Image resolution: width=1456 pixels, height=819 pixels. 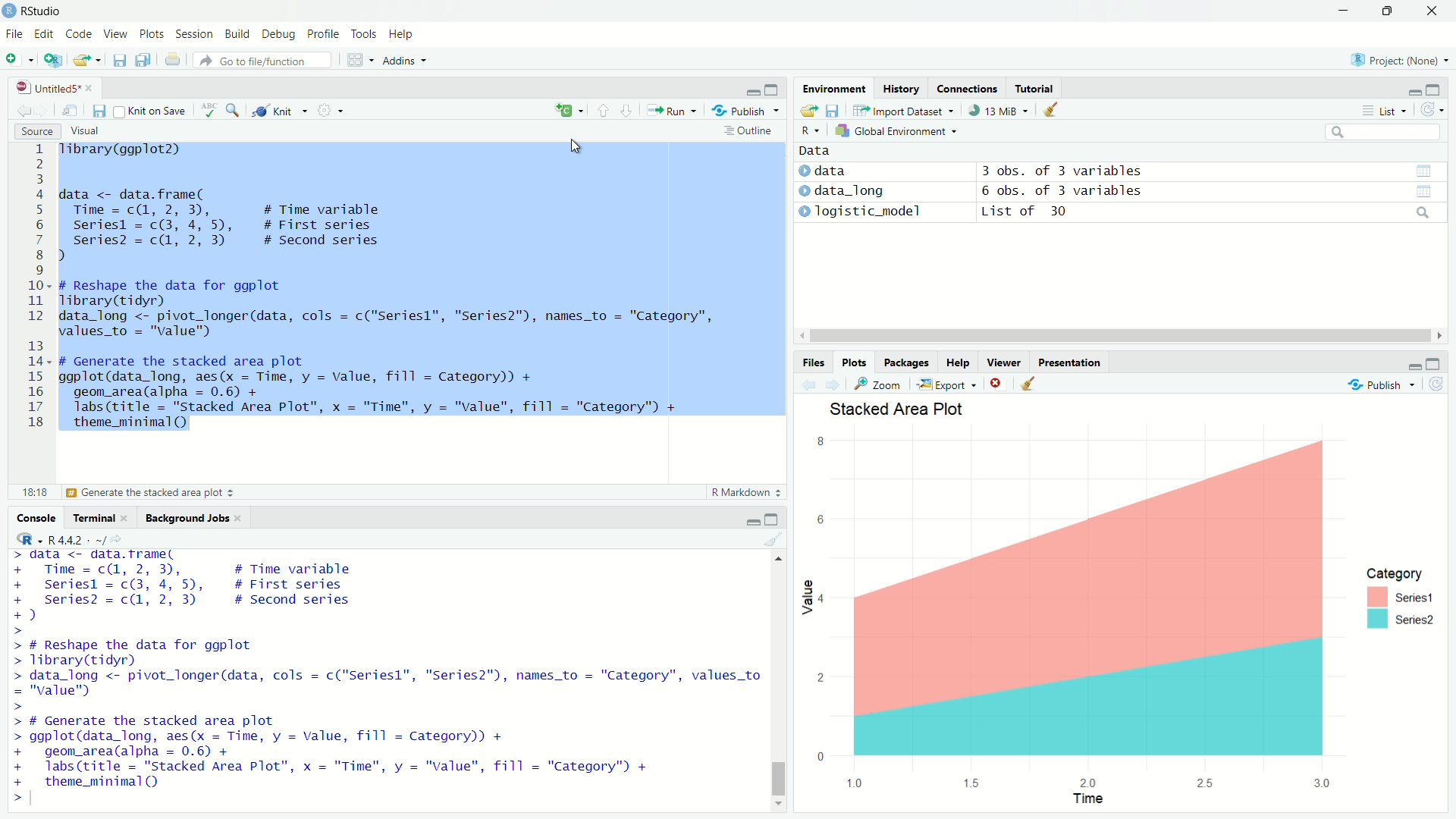 I want to click on Run , so click(x=675, y=110).